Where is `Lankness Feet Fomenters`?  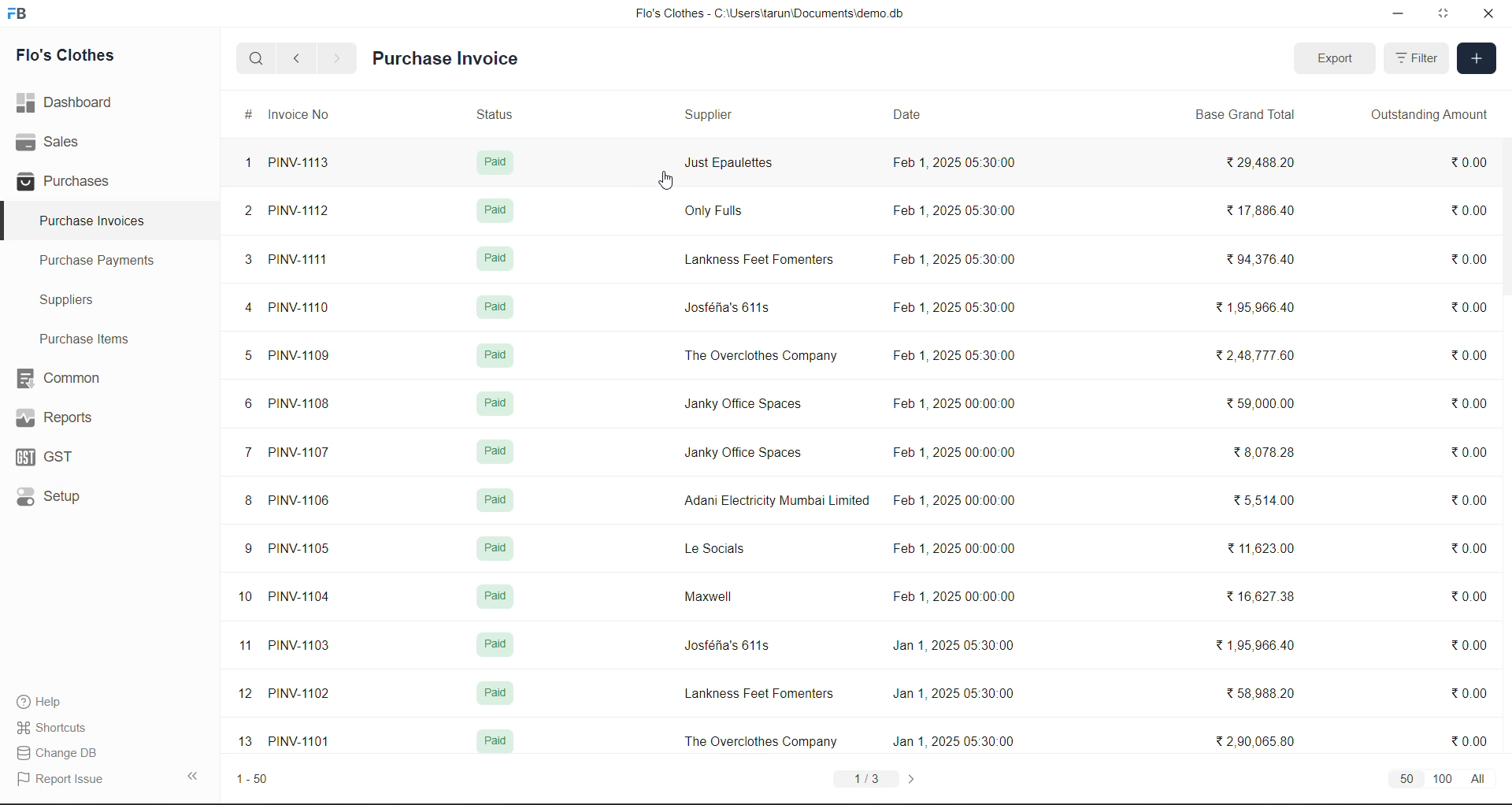 Lankness Feet Fomenters is located at coordinates (761, 696).